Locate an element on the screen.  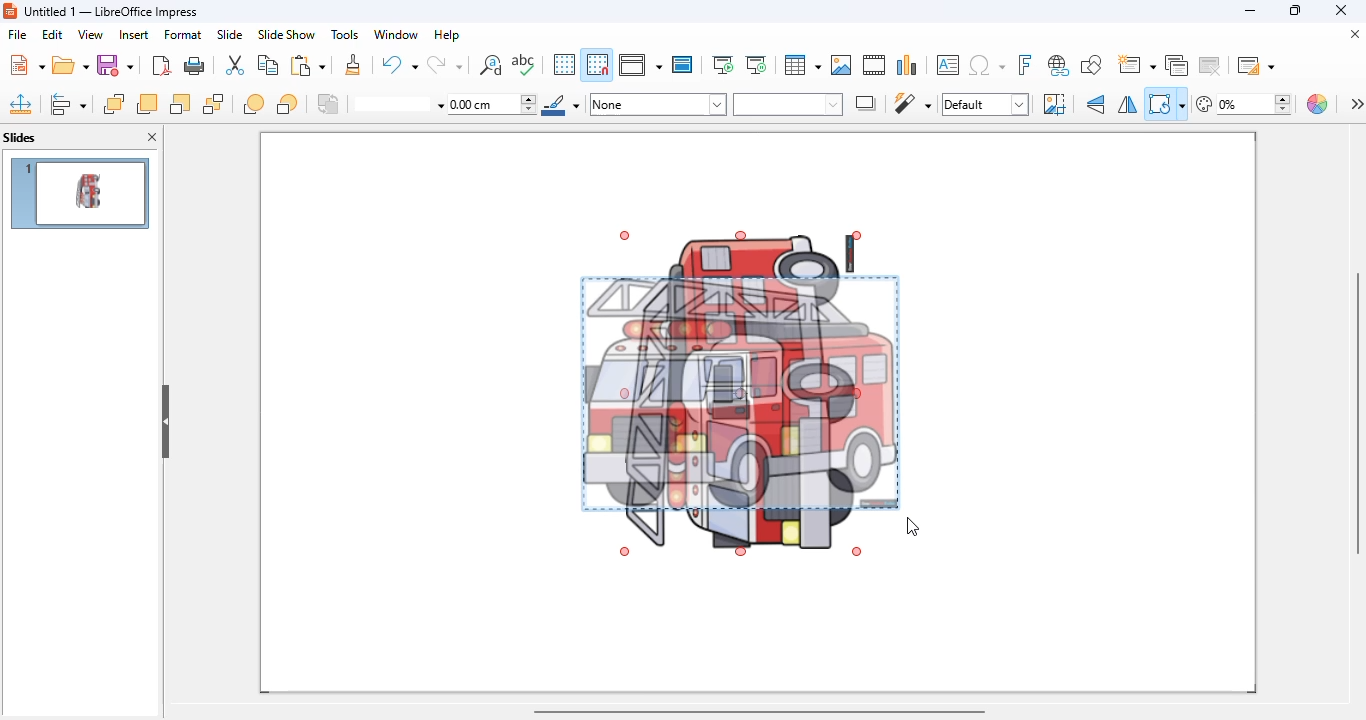
export directly as PDF is located at coordinates (161, 65).